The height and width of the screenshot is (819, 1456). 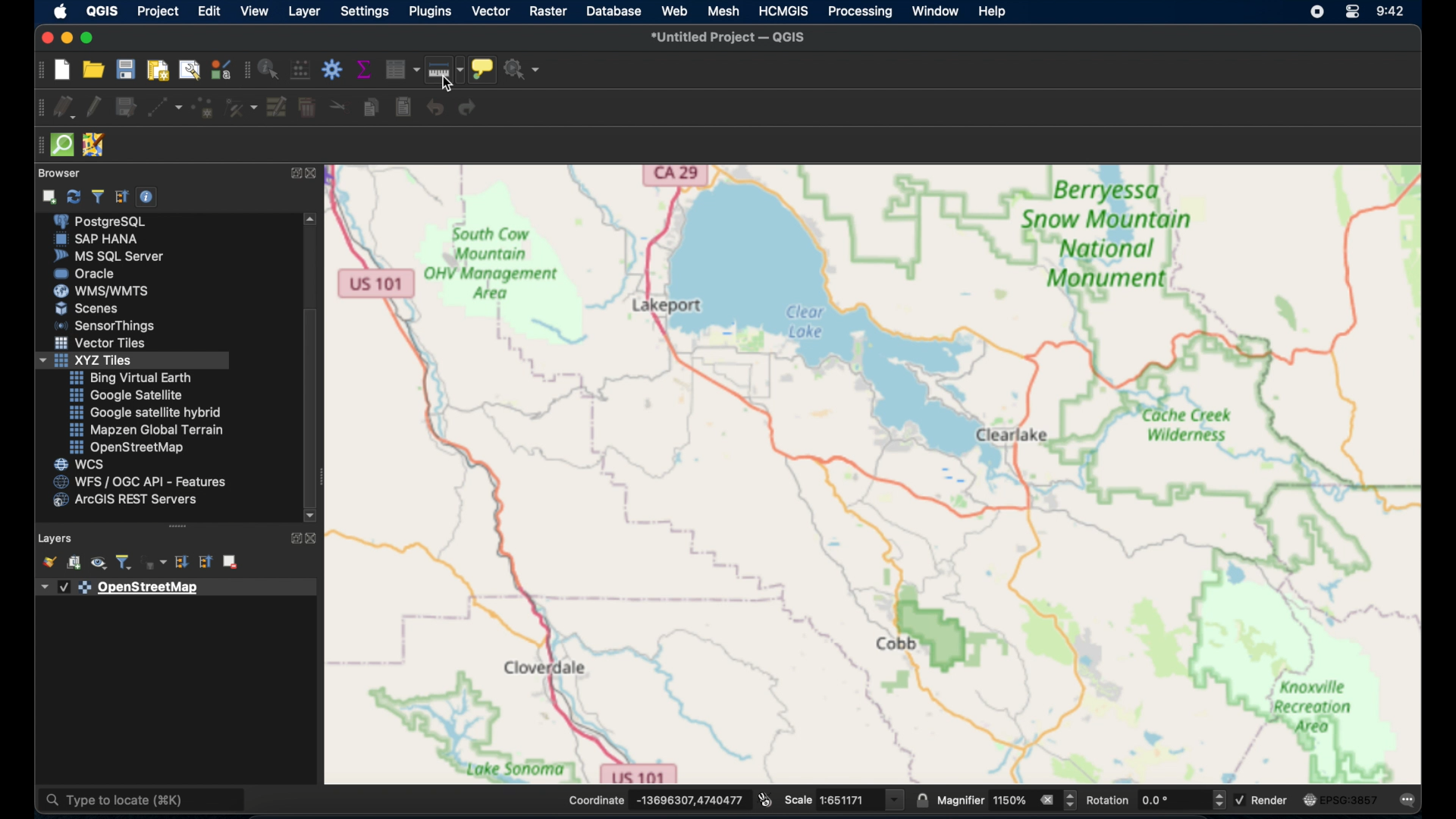 I want to click on scroll up arrow, so click(x=312, y=218).